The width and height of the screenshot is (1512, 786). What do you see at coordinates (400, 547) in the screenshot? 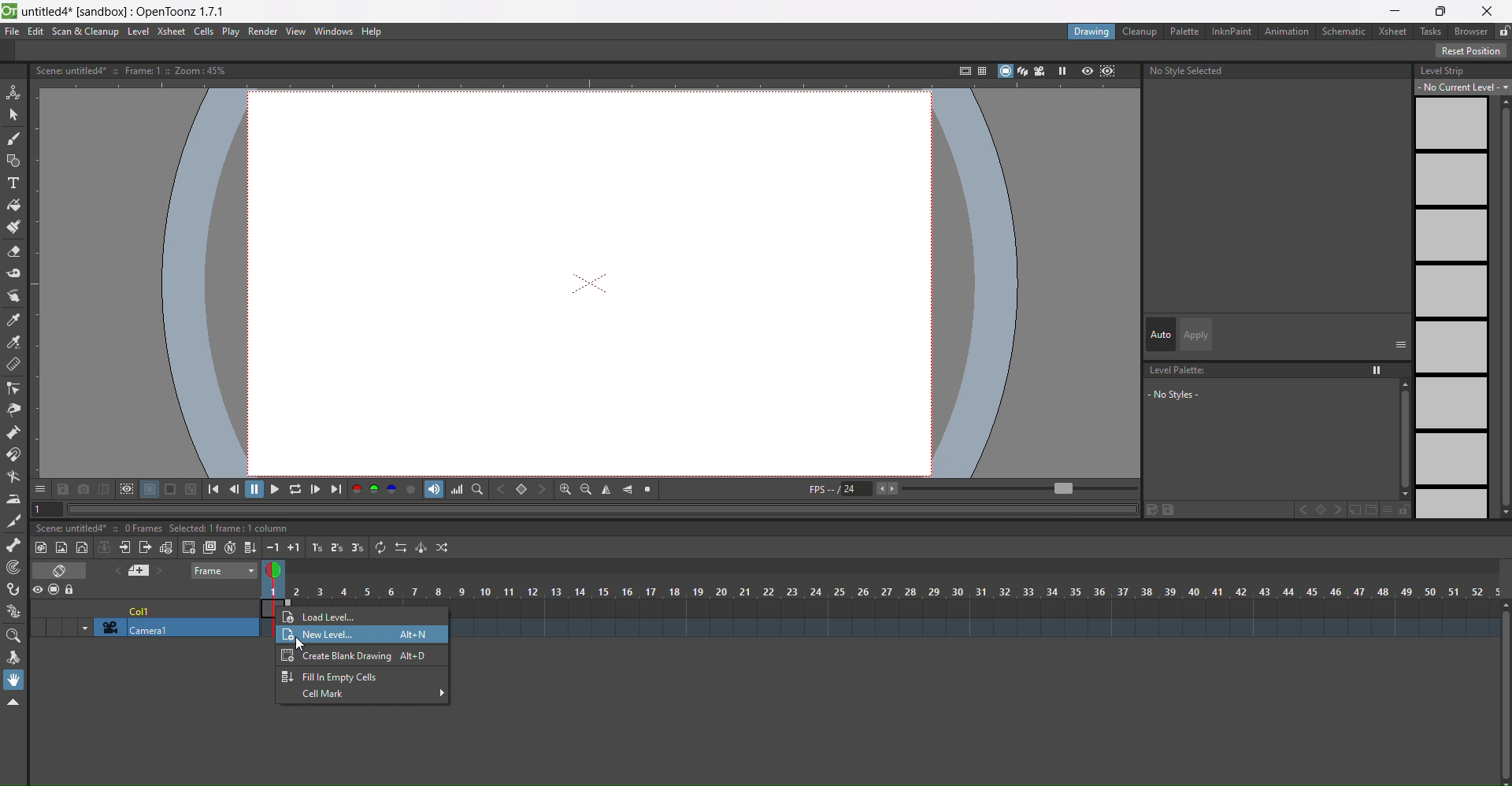
I see `reverse` at bounding box center [400, 547].